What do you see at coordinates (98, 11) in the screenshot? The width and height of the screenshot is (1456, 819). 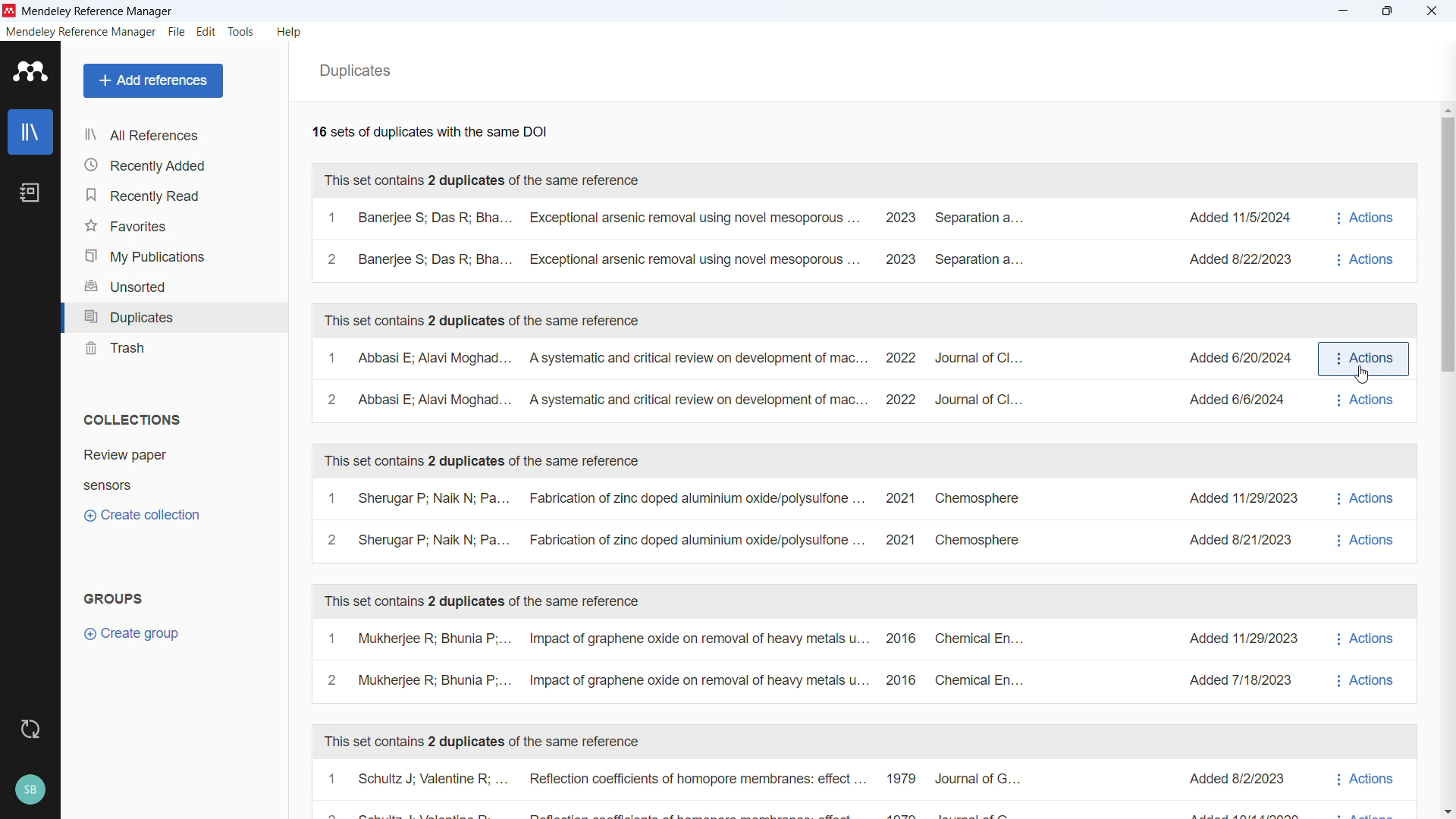 I see `Mendeley Reference Manager` at bounding box center [98, 11].